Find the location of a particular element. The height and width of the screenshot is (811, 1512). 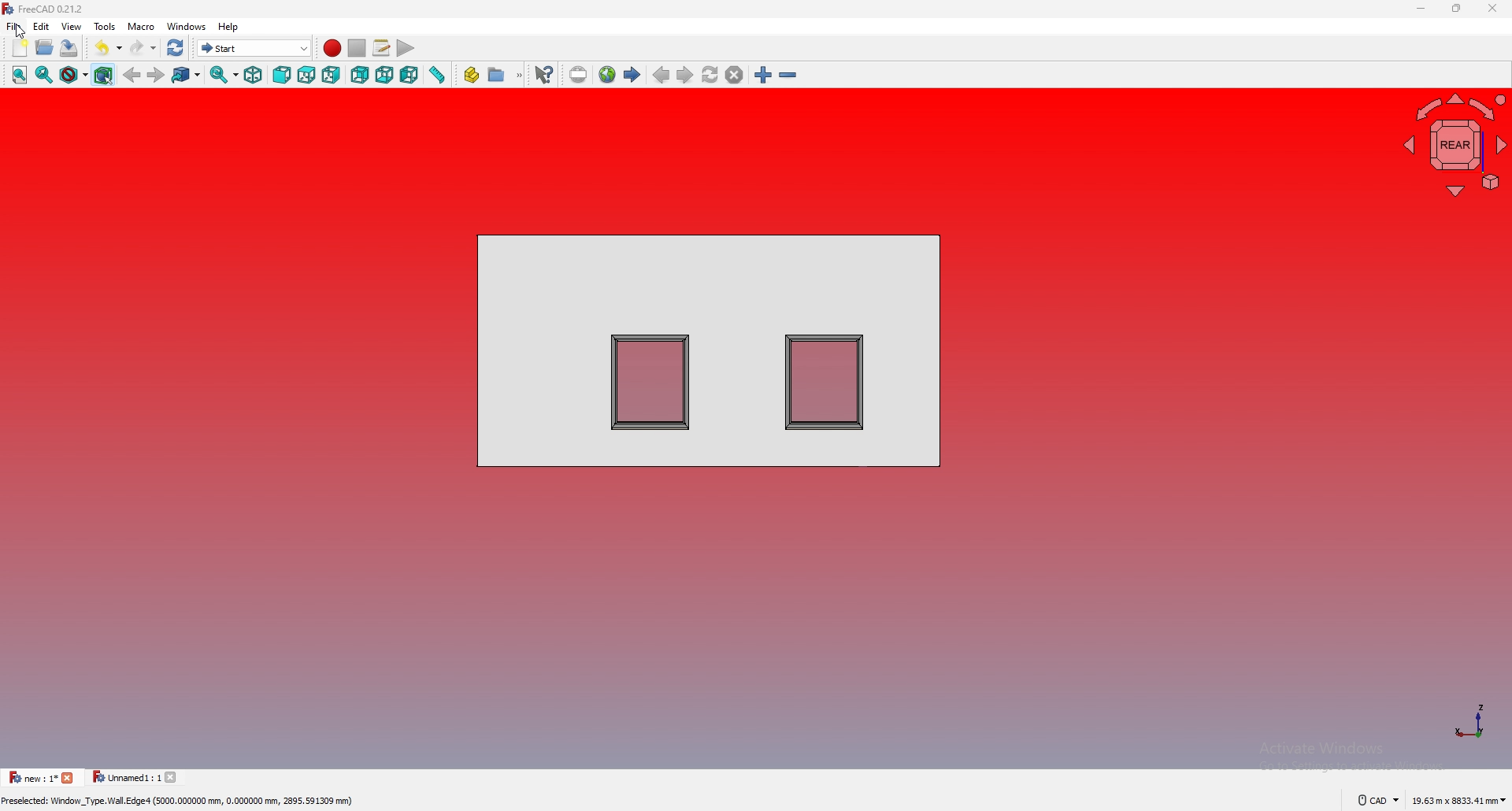

bottom is located at coordinates (384, 76).